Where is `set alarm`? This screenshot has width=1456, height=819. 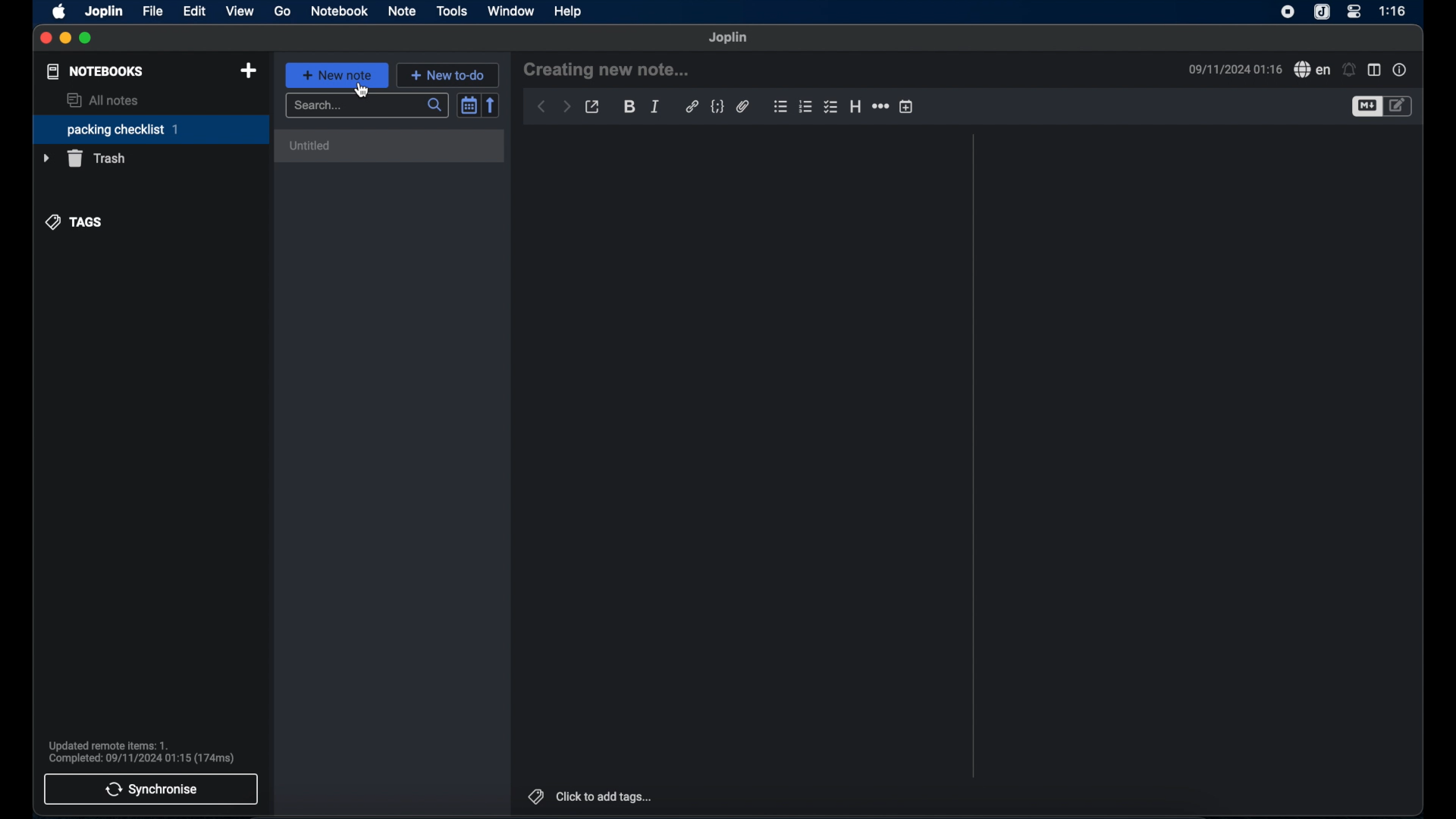 set alarm is located at coordinates (1349, 69).